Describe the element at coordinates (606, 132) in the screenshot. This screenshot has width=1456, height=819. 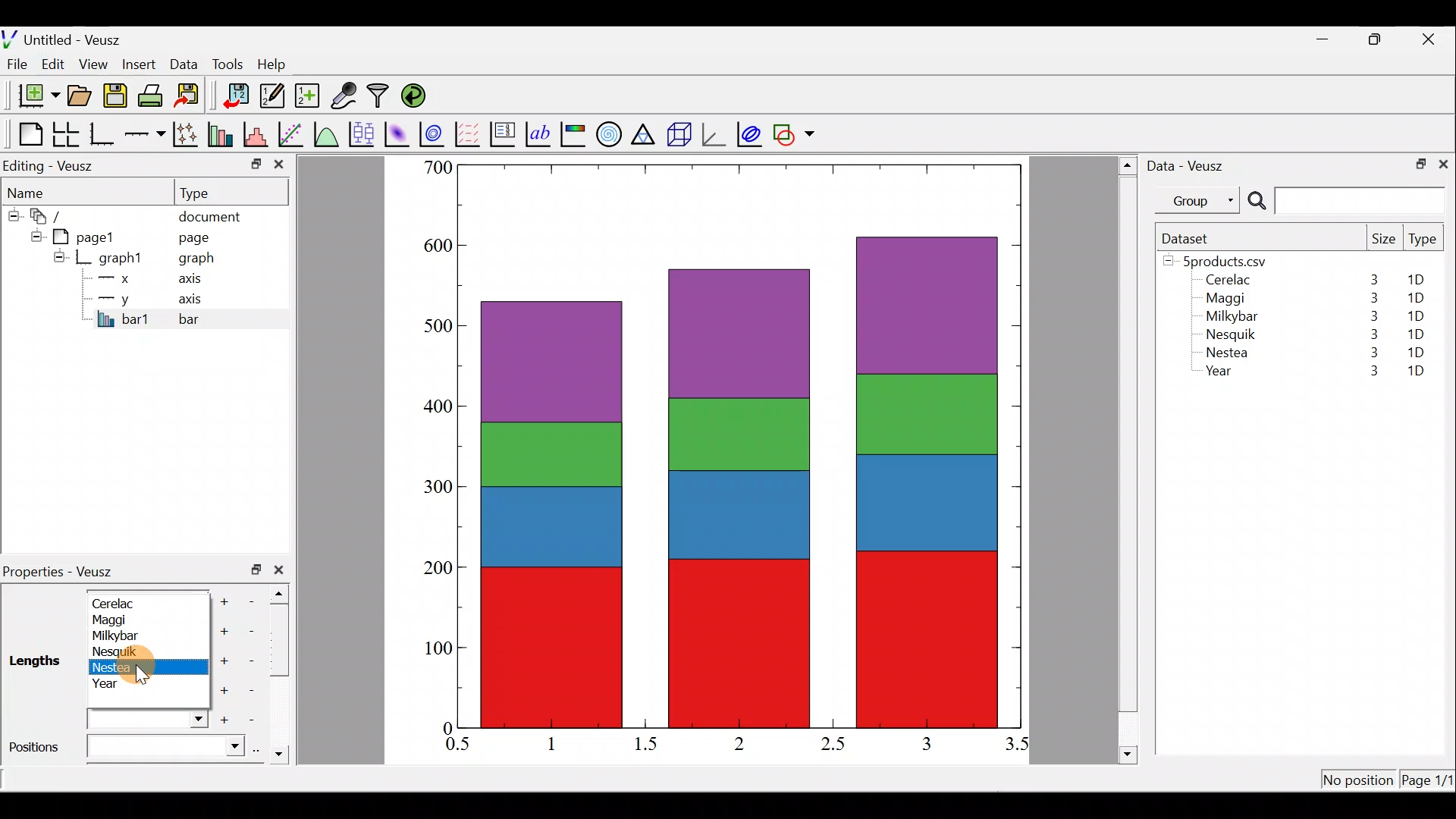
I see `Polar graph` at that location.